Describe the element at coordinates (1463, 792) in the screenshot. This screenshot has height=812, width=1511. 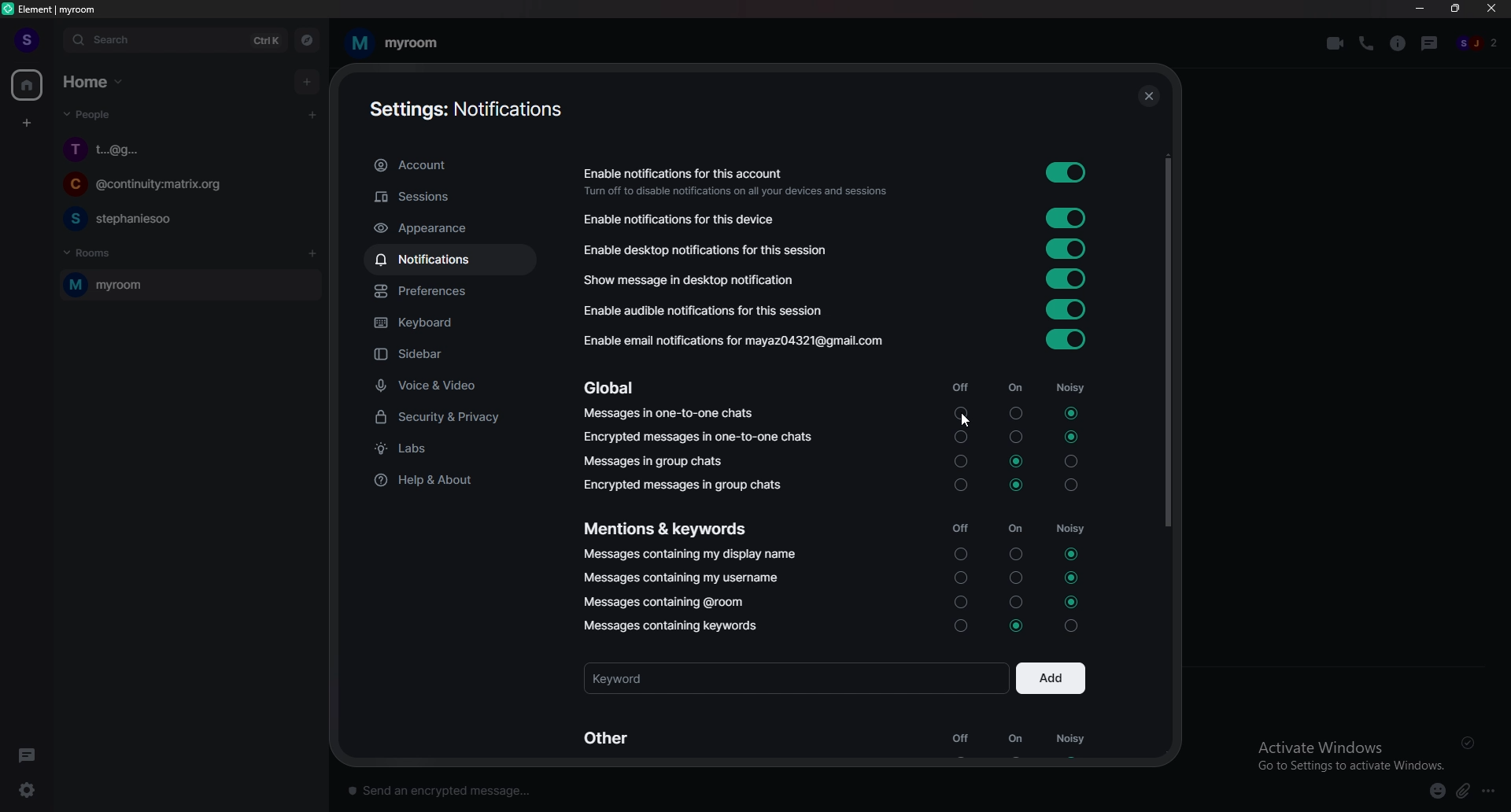
I see `attachment` at that location.